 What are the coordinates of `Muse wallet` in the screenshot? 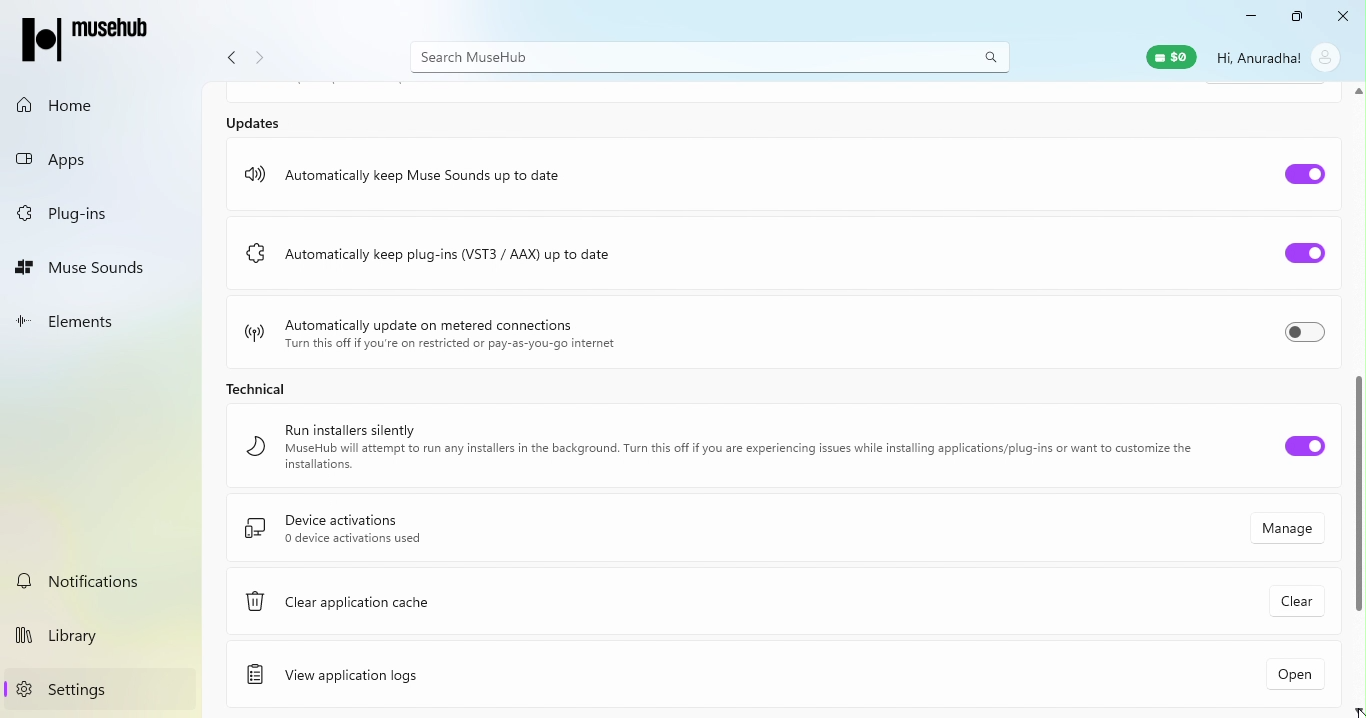 It's located at (1168, 57).